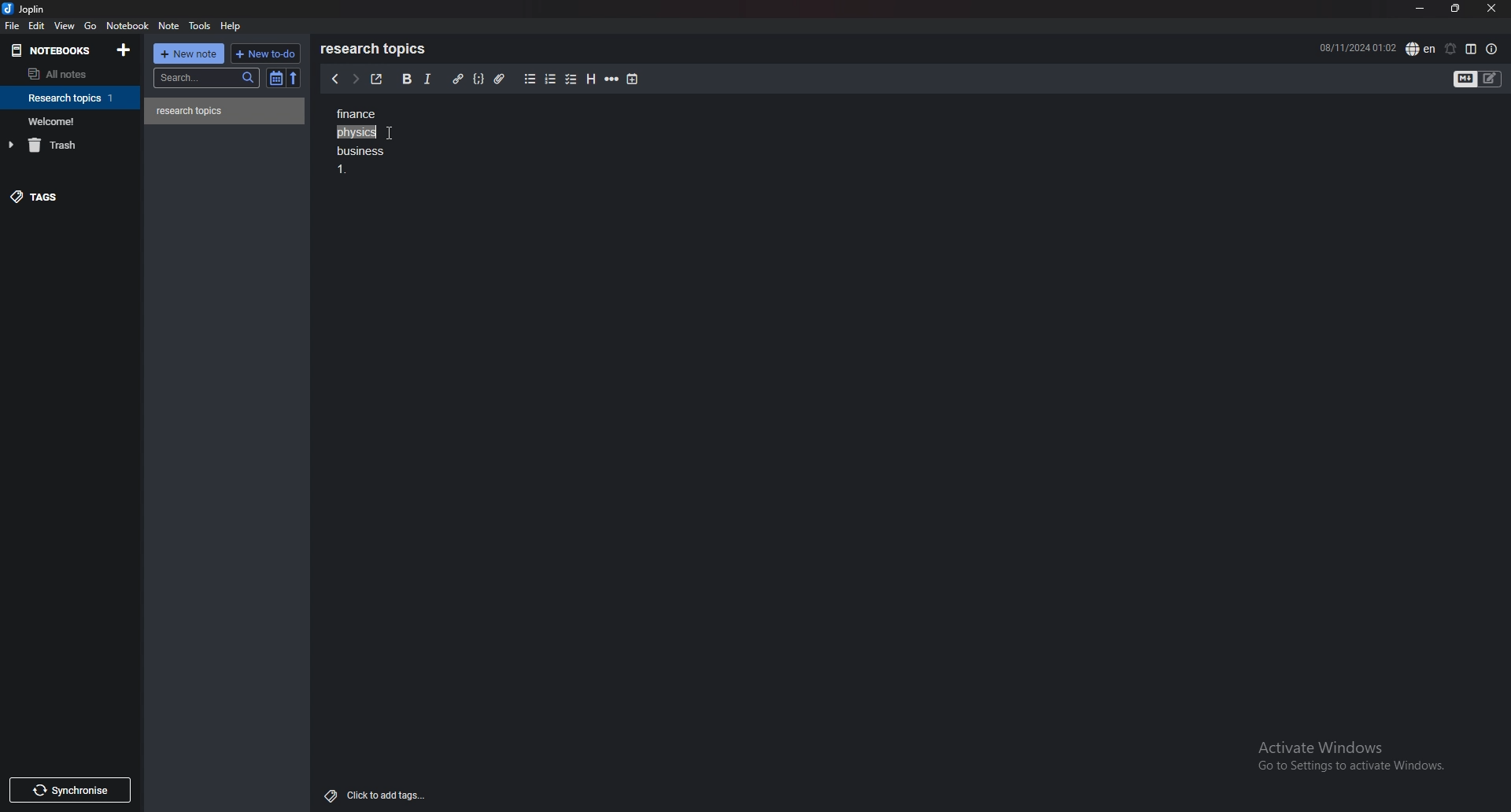 The width and height of the screenshot is (1511, 812). What do you see at coordinates (276, 79) in the screenshot?
I see `toggle sort order` at bounding box center [276, 79].